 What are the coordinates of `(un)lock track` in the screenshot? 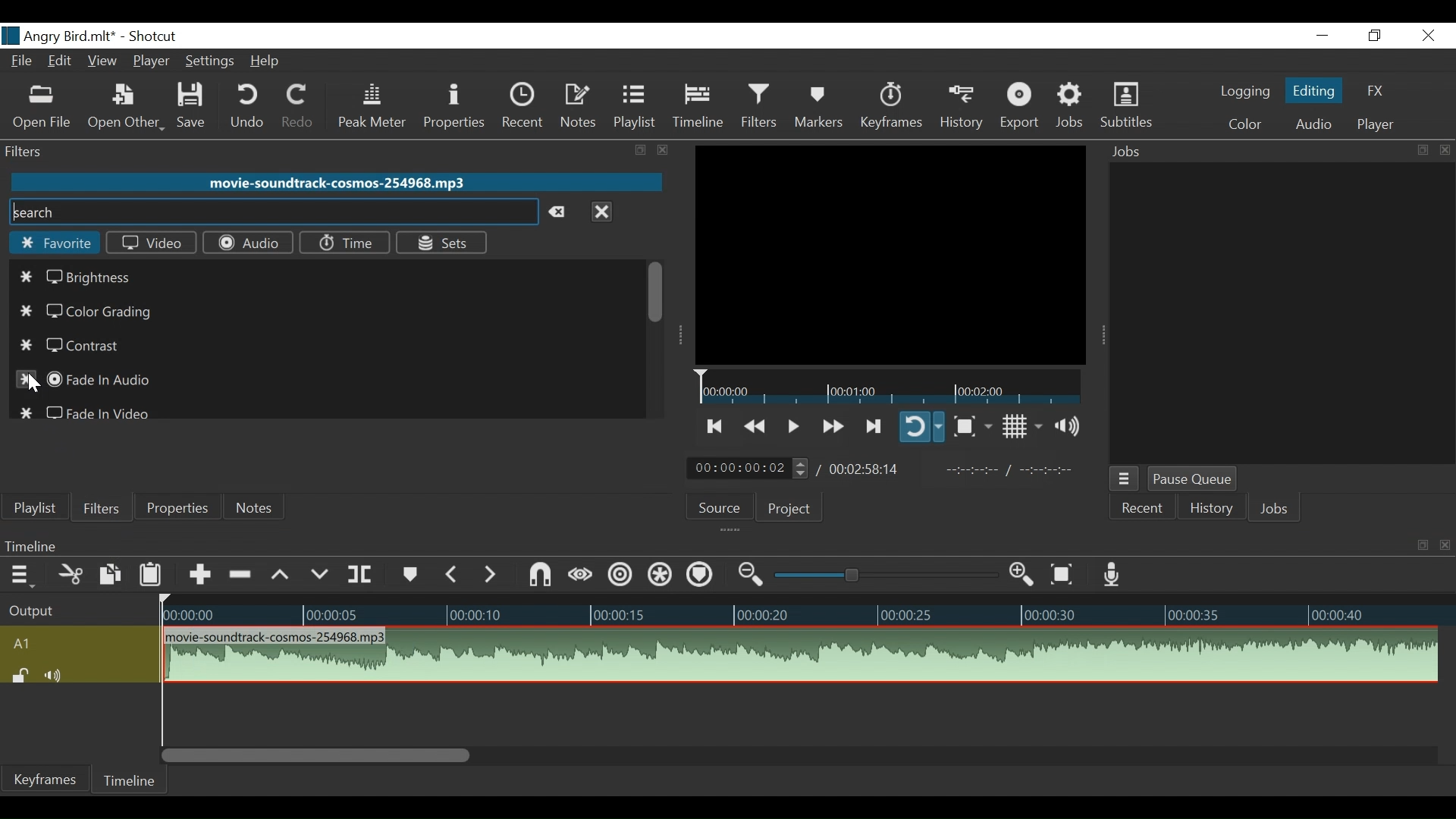 It's located at (19, 676).